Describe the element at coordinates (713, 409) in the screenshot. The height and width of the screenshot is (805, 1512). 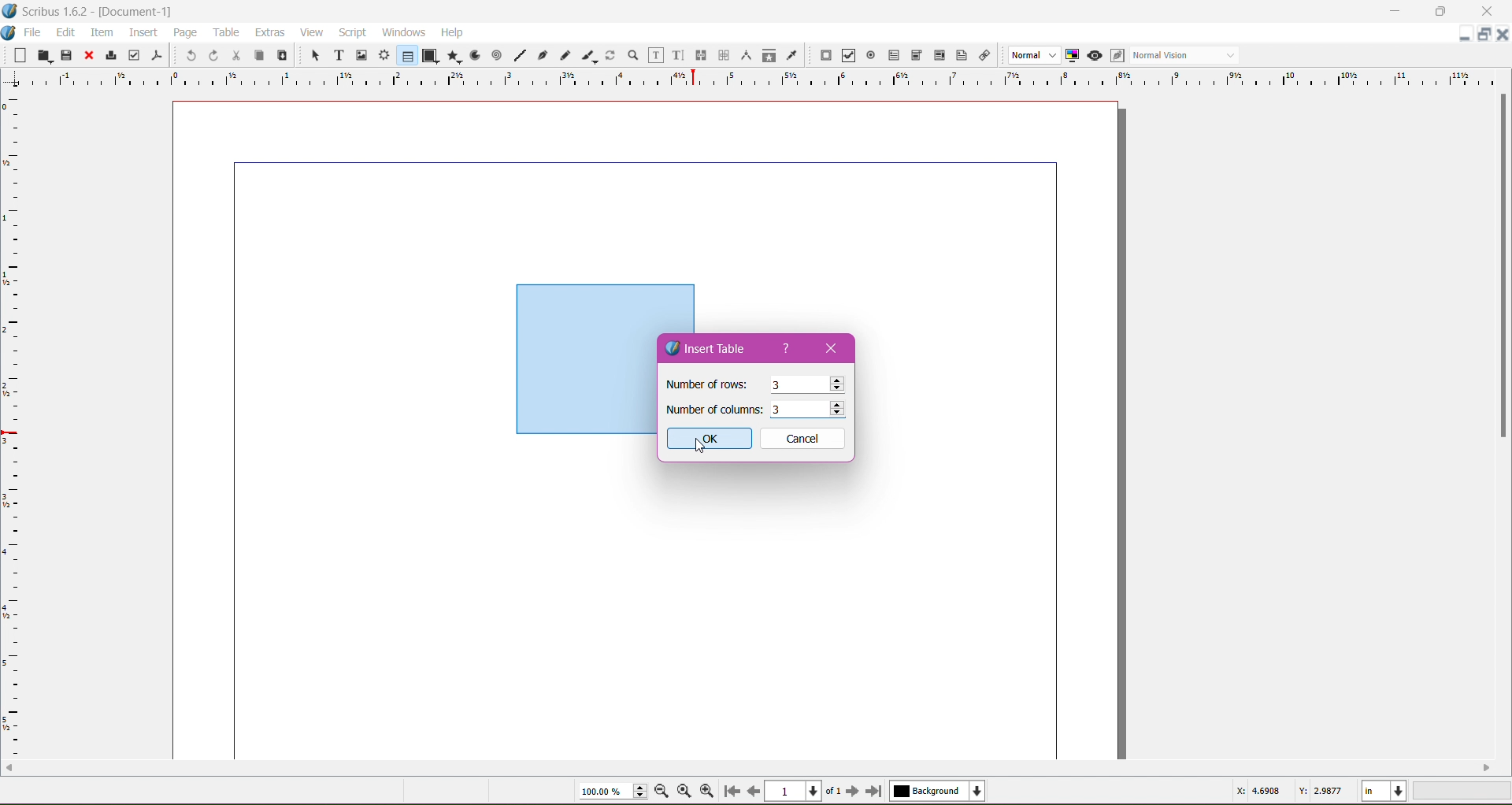
I see `Number of columns:` at that location.